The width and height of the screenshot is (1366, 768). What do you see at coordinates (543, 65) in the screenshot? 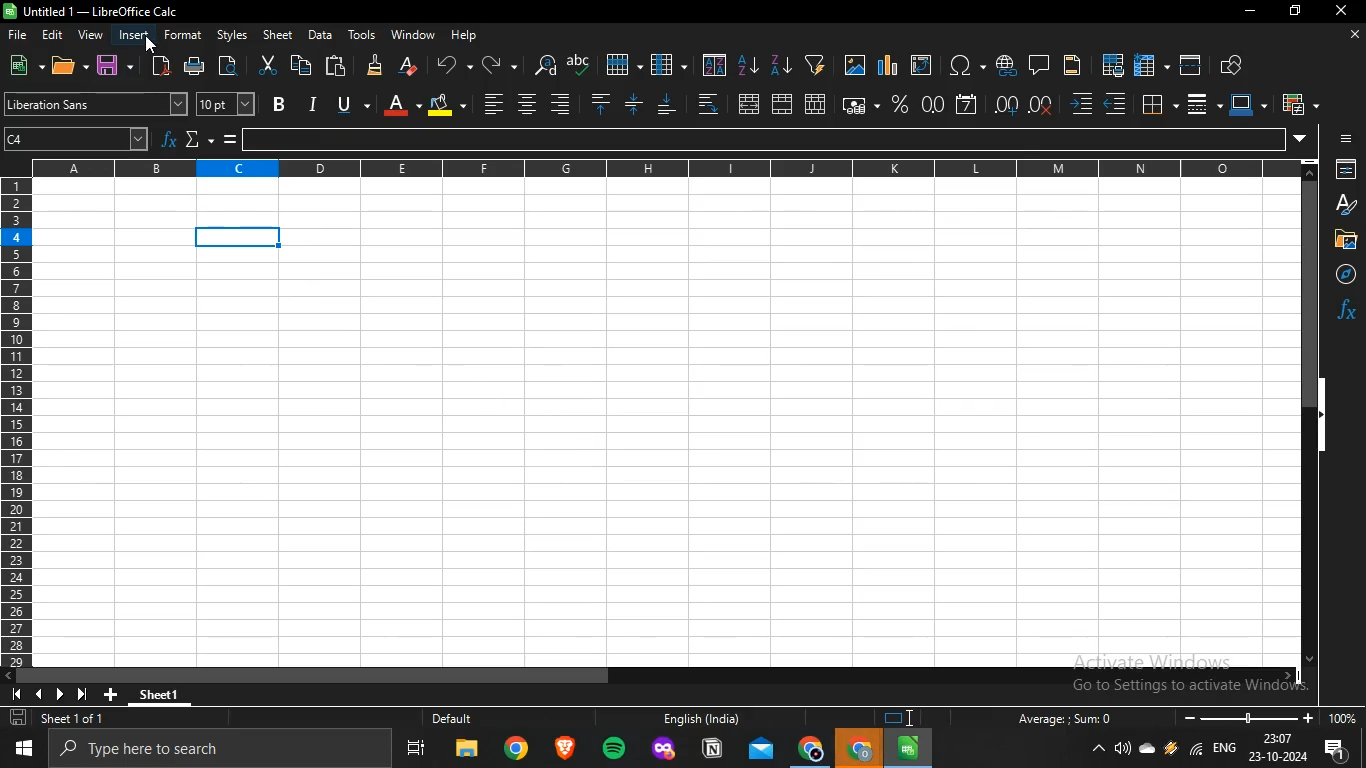
I see `find and replace` at bounding box center [543, 65].